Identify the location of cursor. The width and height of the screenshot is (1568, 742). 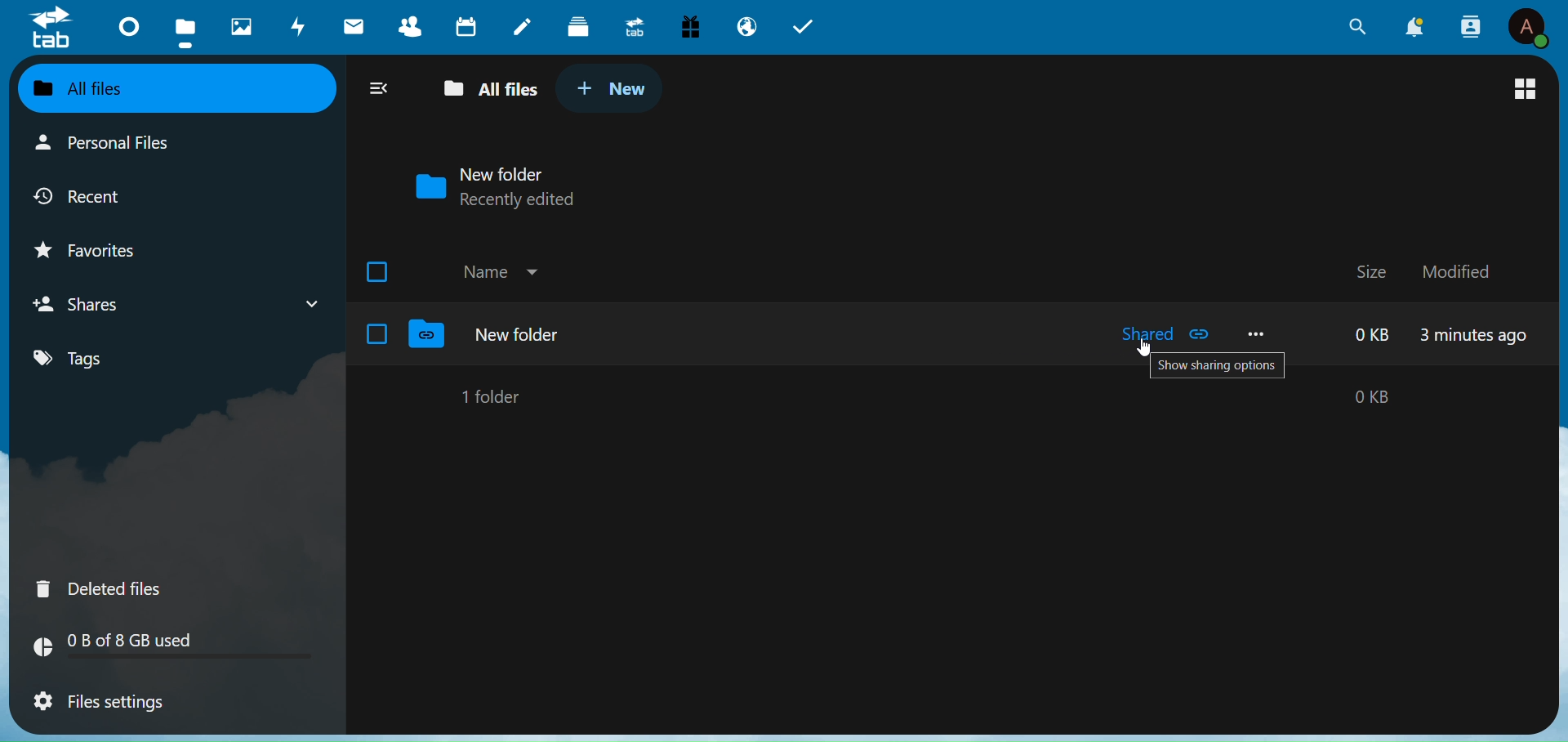
(1143, 349).